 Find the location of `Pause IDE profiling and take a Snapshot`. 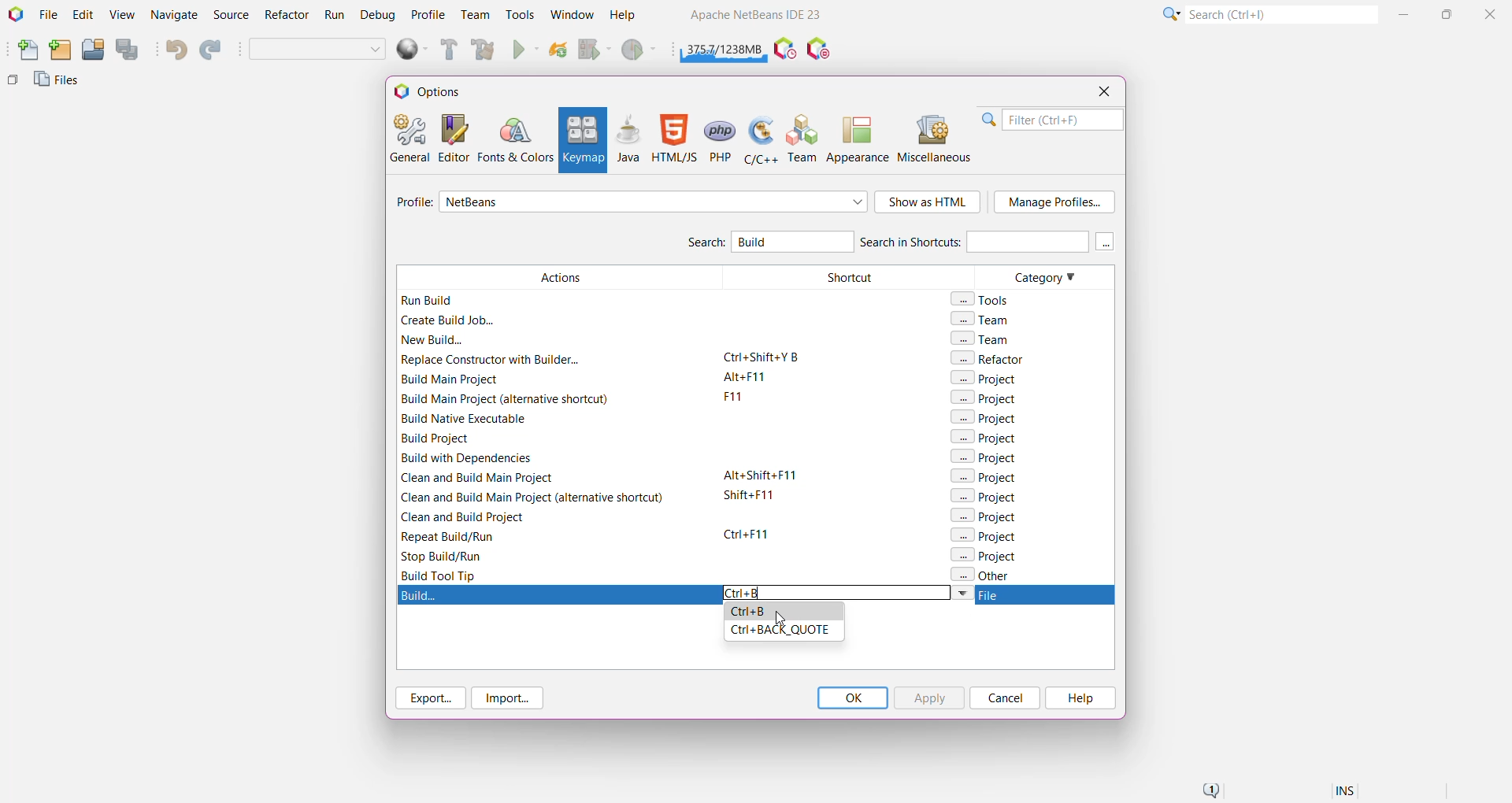

Pause IDE profiling and take a Snapshot is located at coordinates (785, 50).